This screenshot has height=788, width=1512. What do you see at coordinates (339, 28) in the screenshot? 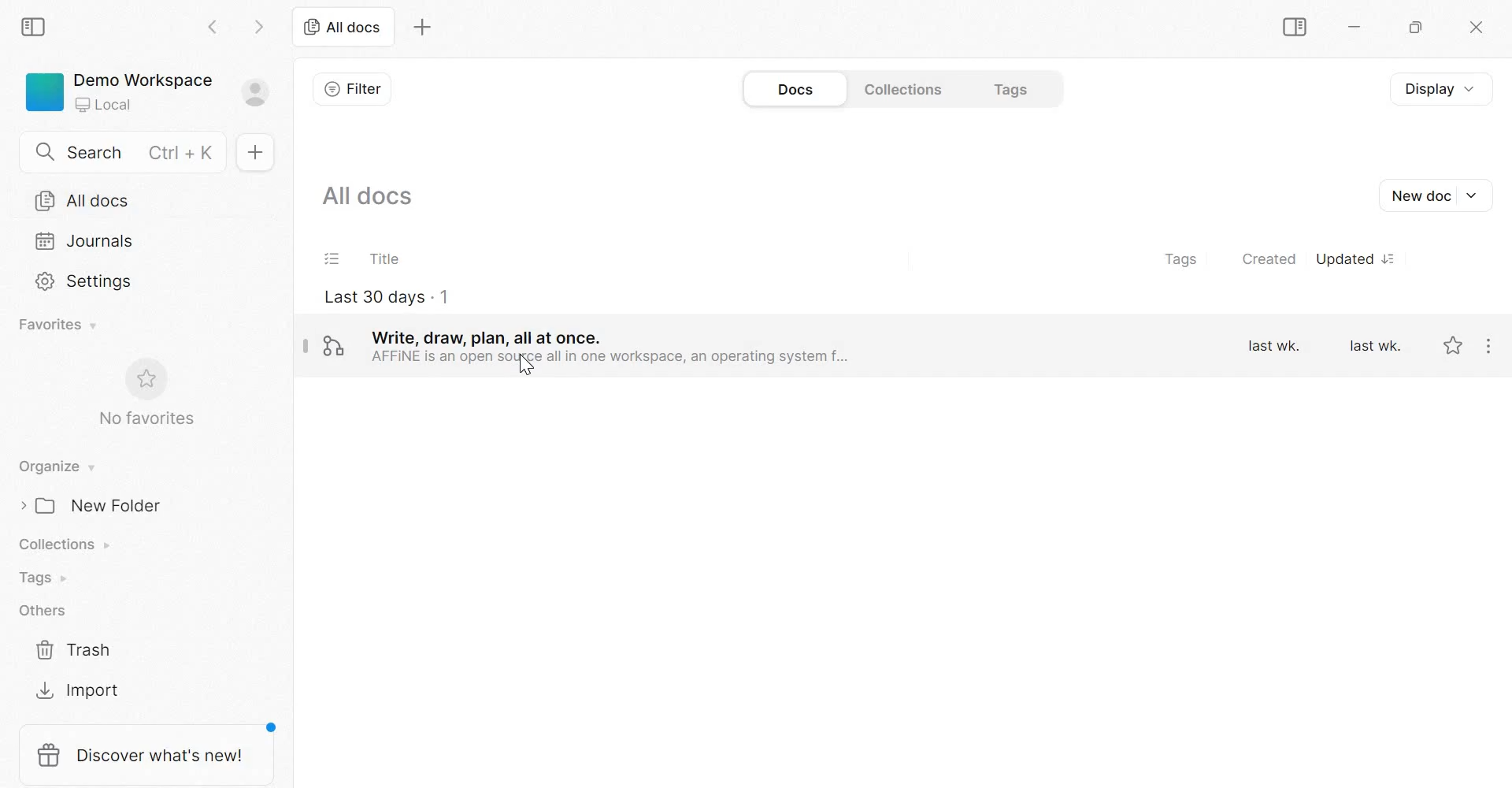
I see `All docs` at bounding box center [339, 28].